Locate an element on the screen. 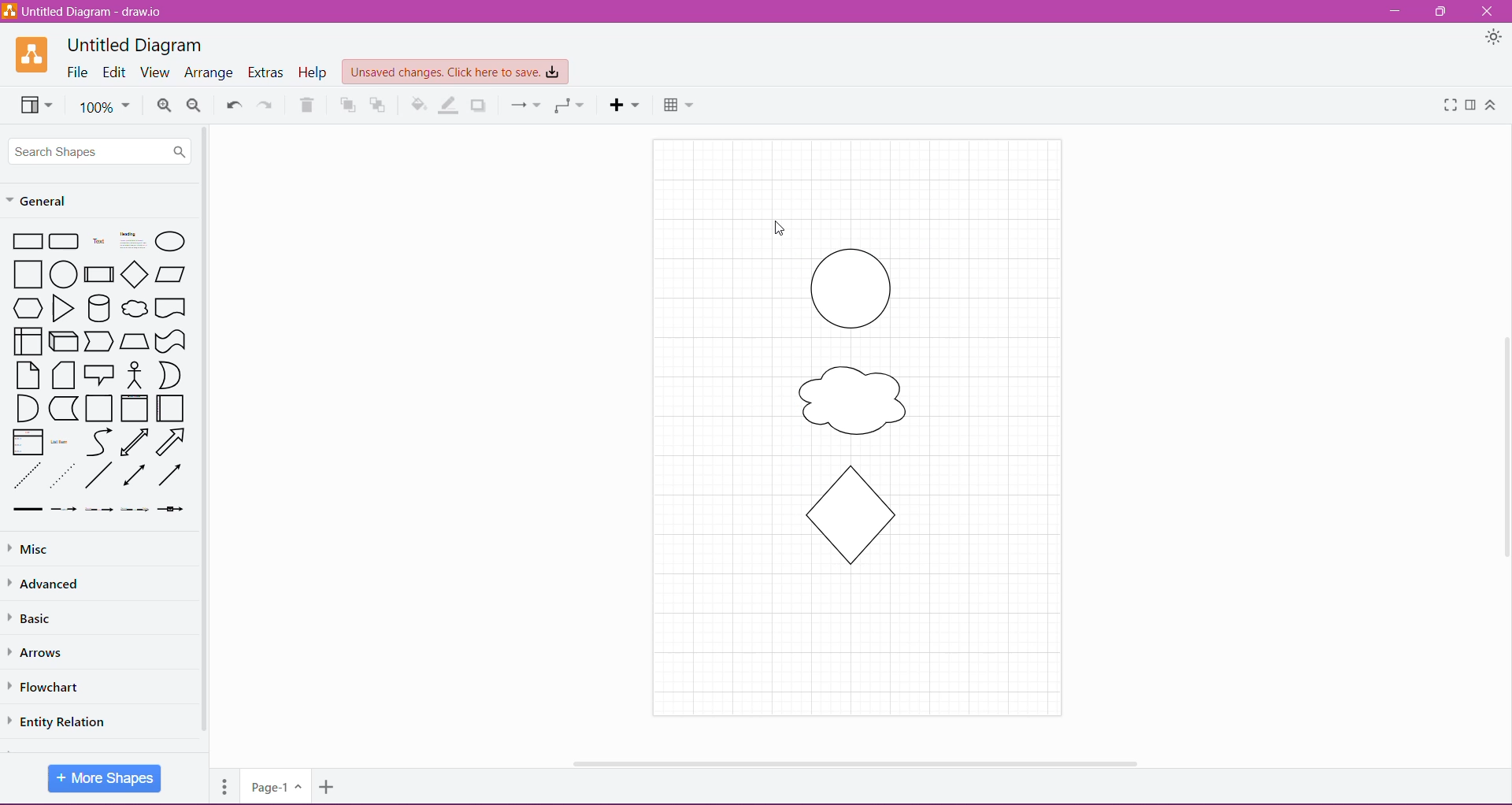 The image size is (1512, 805). Close is located at coordinates (1487, 12).